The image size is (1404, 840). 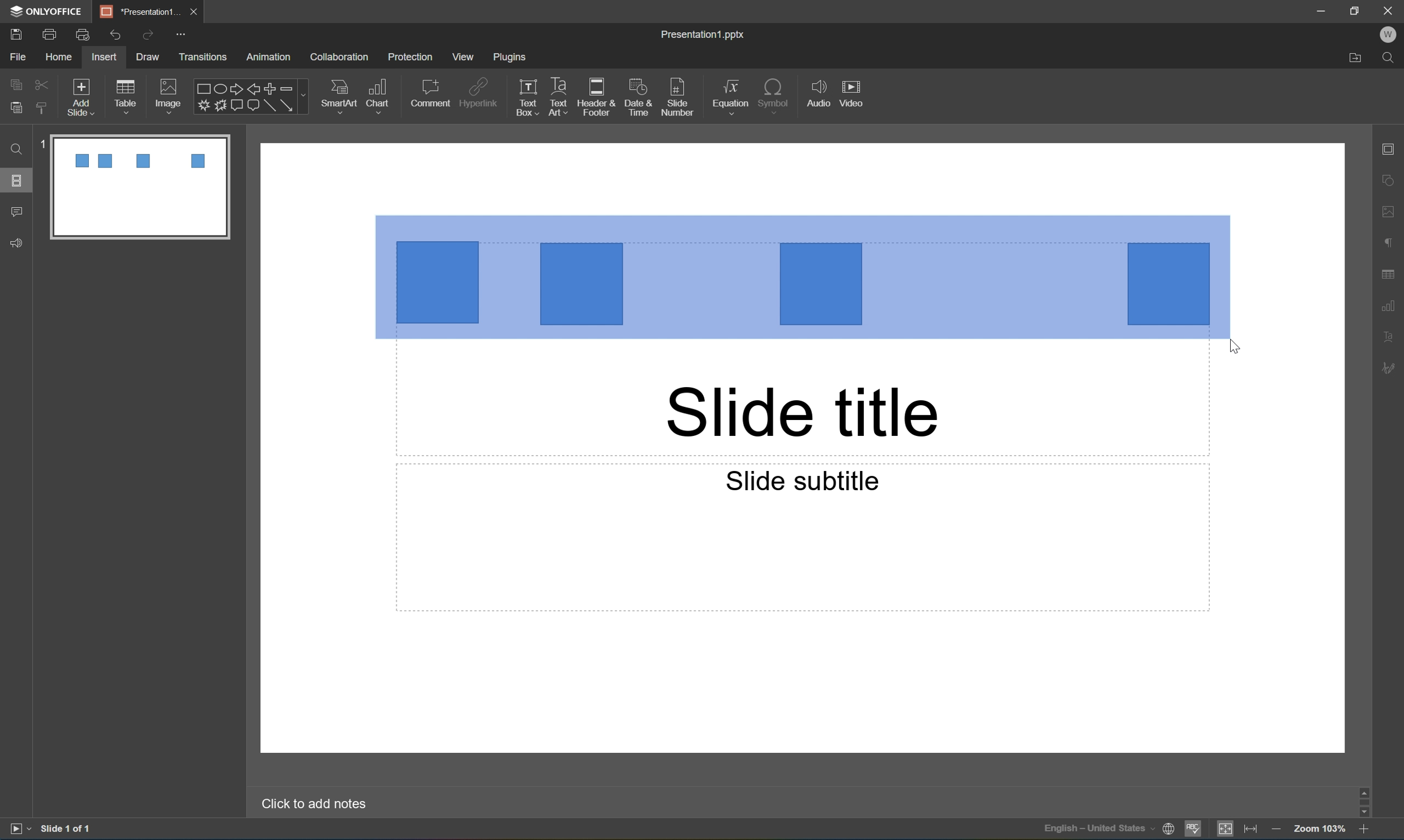 I want to click on text art, so click(x=555, y=98).